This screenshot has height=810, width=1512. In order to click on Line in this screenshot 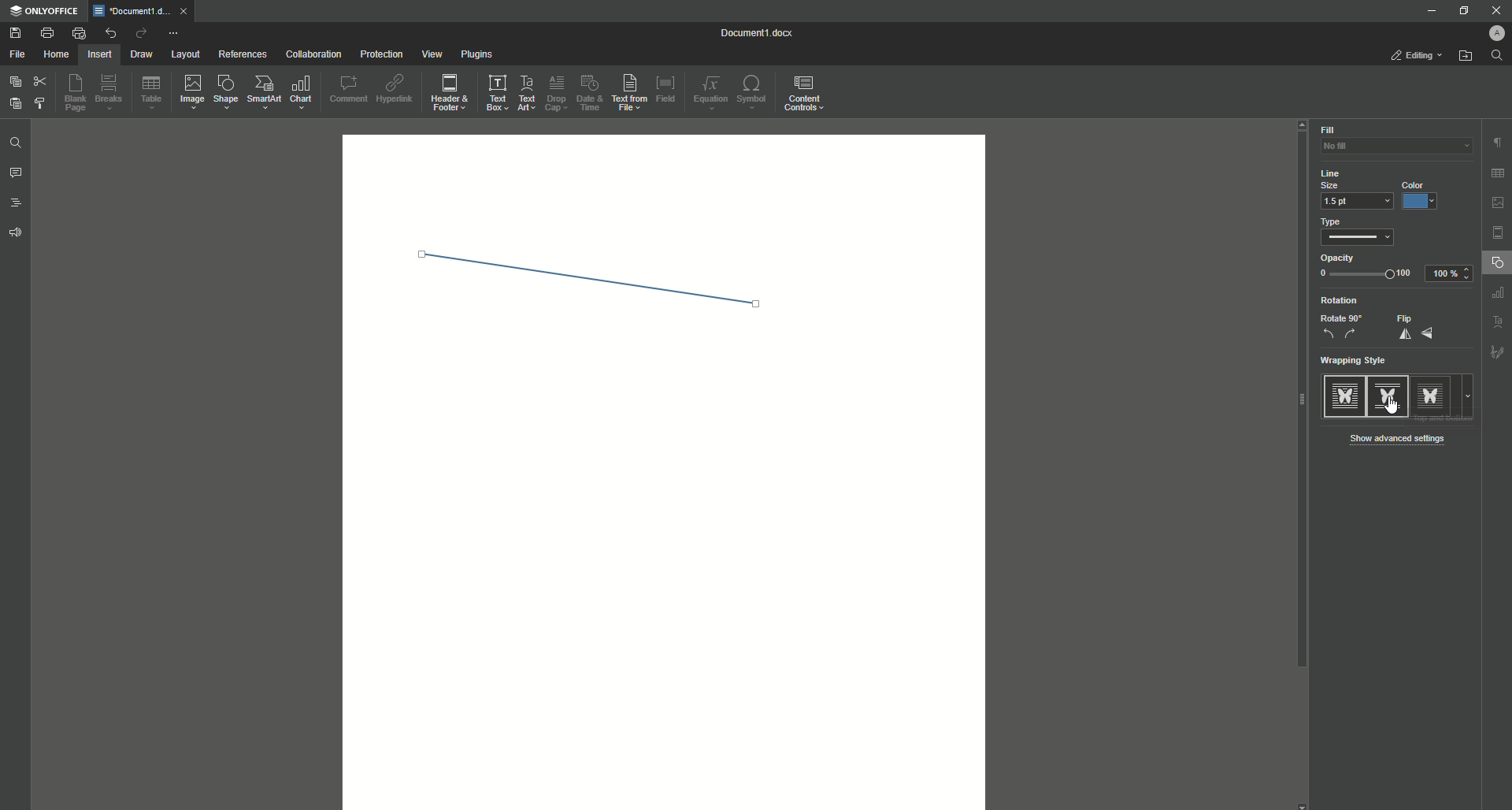, I will do `click(576, 272)`.